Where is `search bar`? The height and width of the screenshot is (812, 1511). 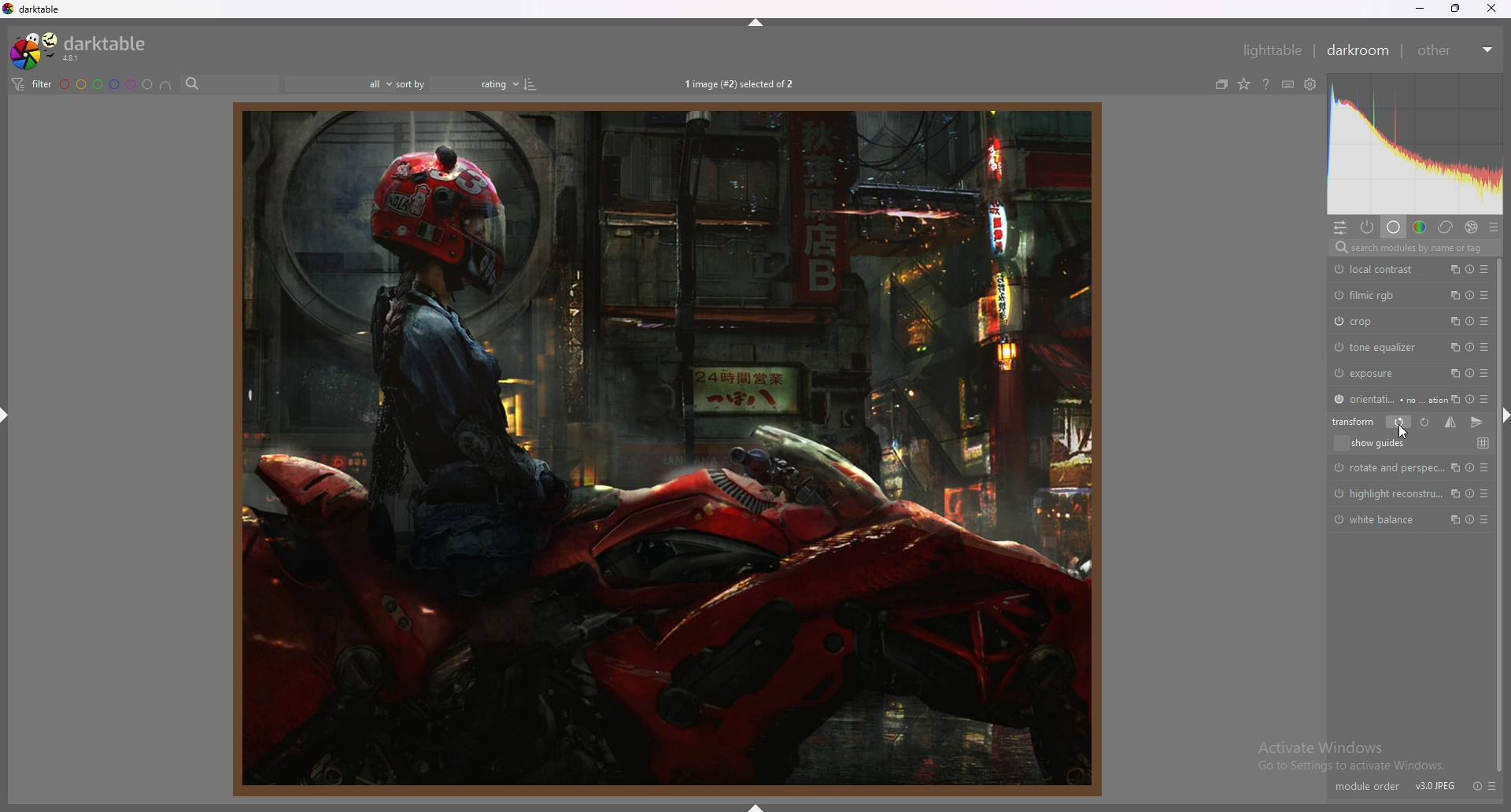
search bar is located at coordinates (230, 84).